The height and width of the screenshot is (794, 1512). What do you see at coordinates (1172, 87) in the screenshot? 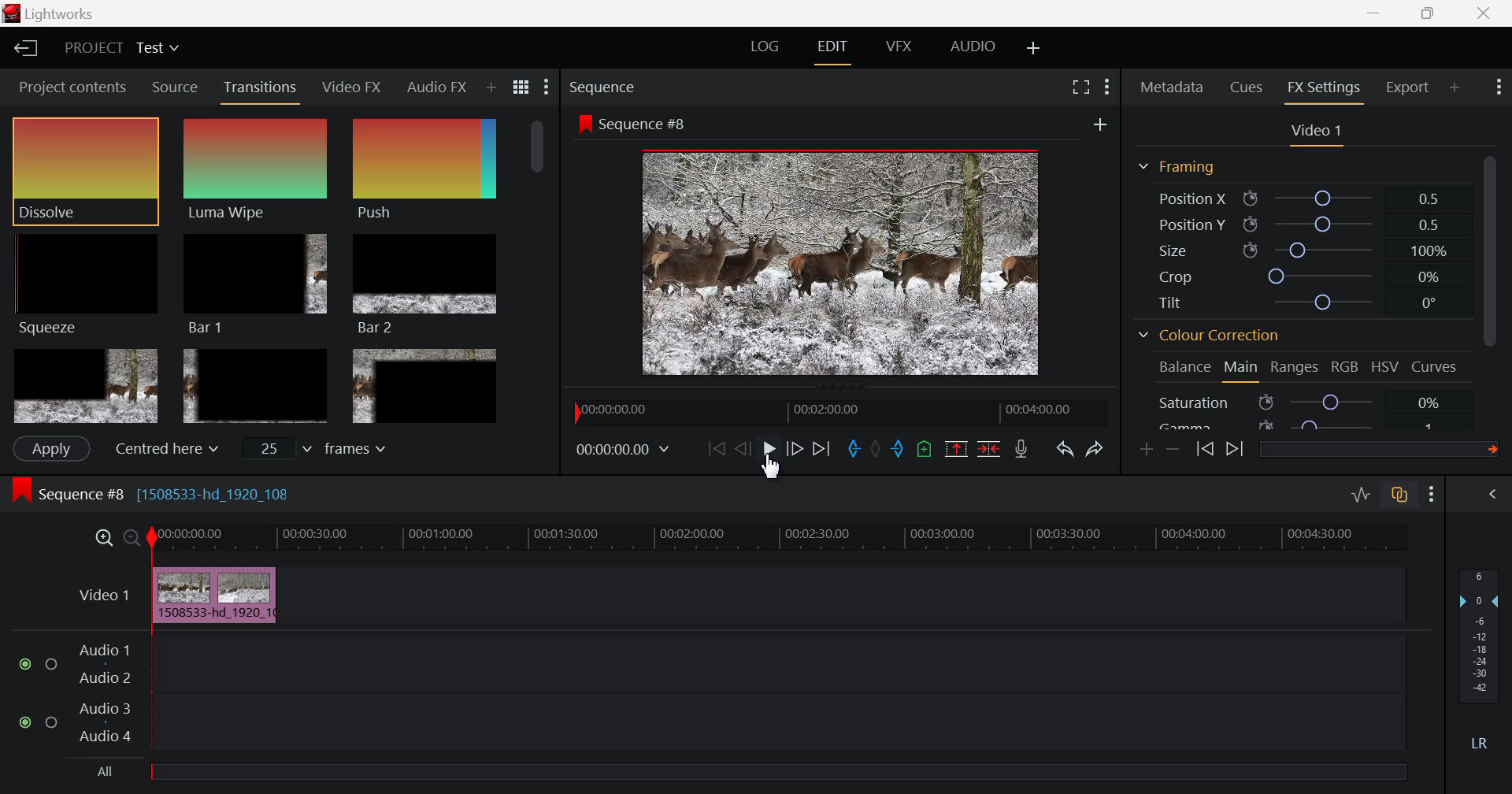
I see `Metadata Tab` at bounding box center [1172, 87].